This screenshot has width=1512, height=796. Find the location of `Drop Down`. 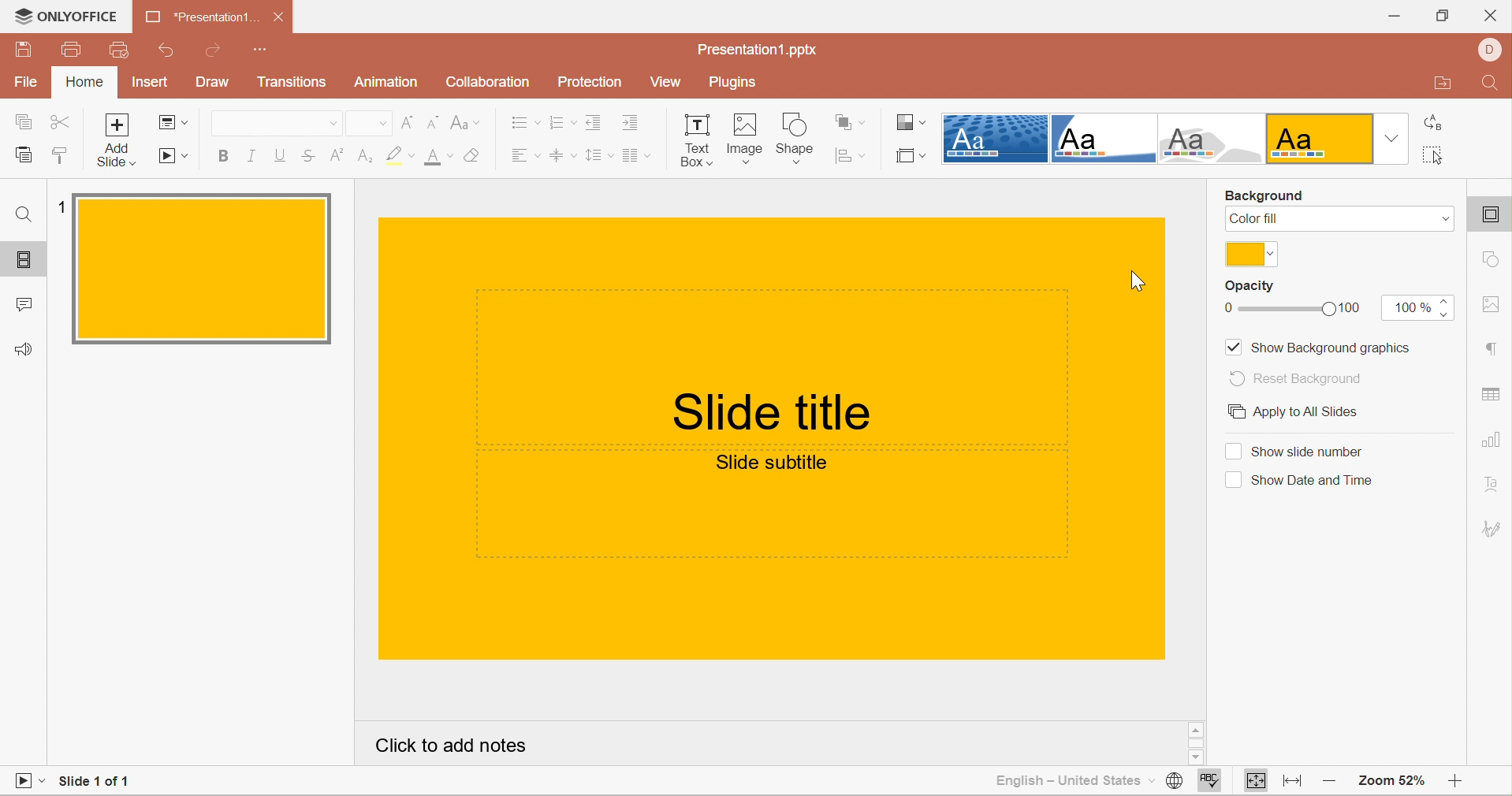

Drop Down is located at coordinates (381, 124).